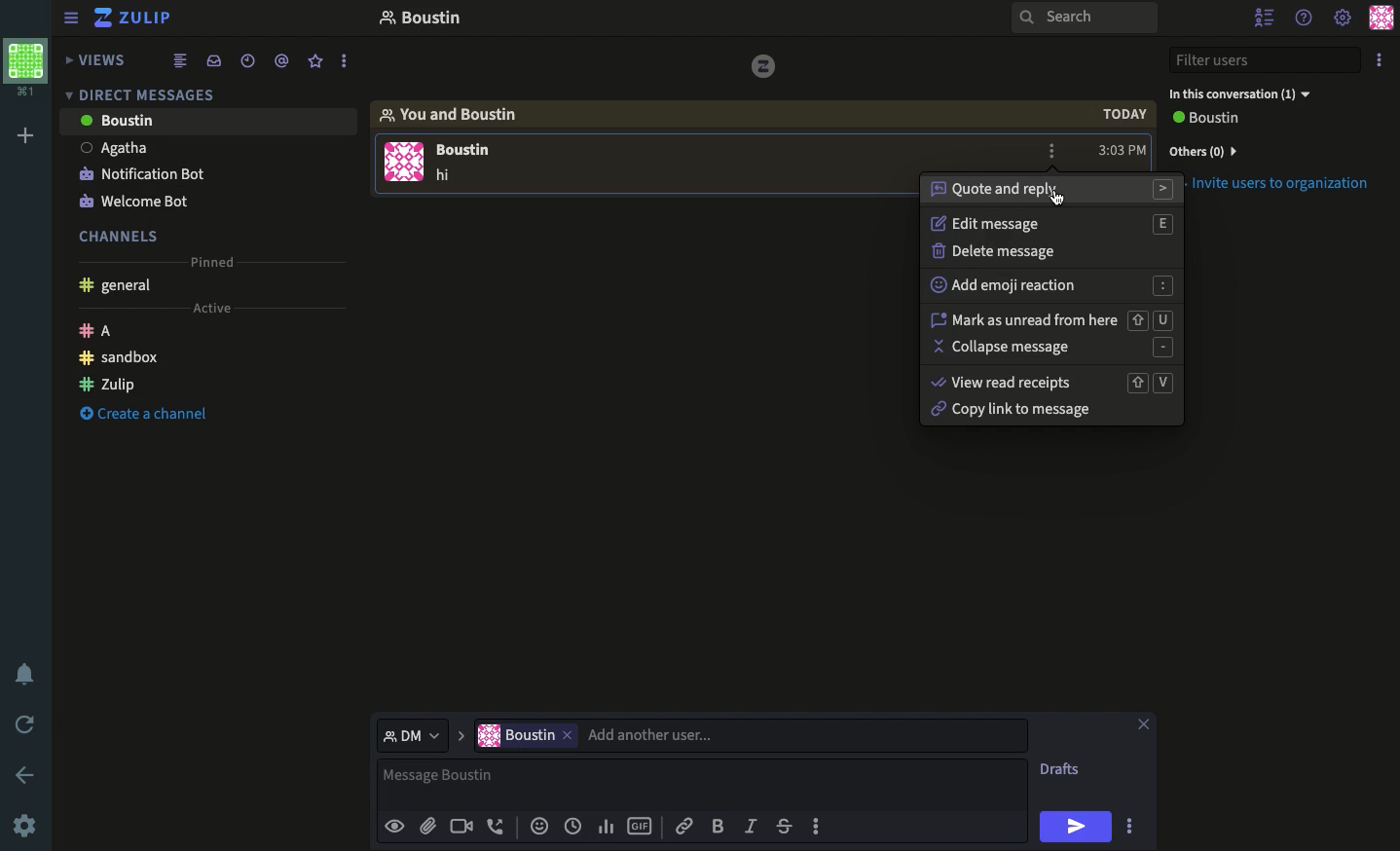 This screenshot has height=851, width=1400. Describe the element at coordinates (219, 308) in the screenshot. I see `Active` at that location.